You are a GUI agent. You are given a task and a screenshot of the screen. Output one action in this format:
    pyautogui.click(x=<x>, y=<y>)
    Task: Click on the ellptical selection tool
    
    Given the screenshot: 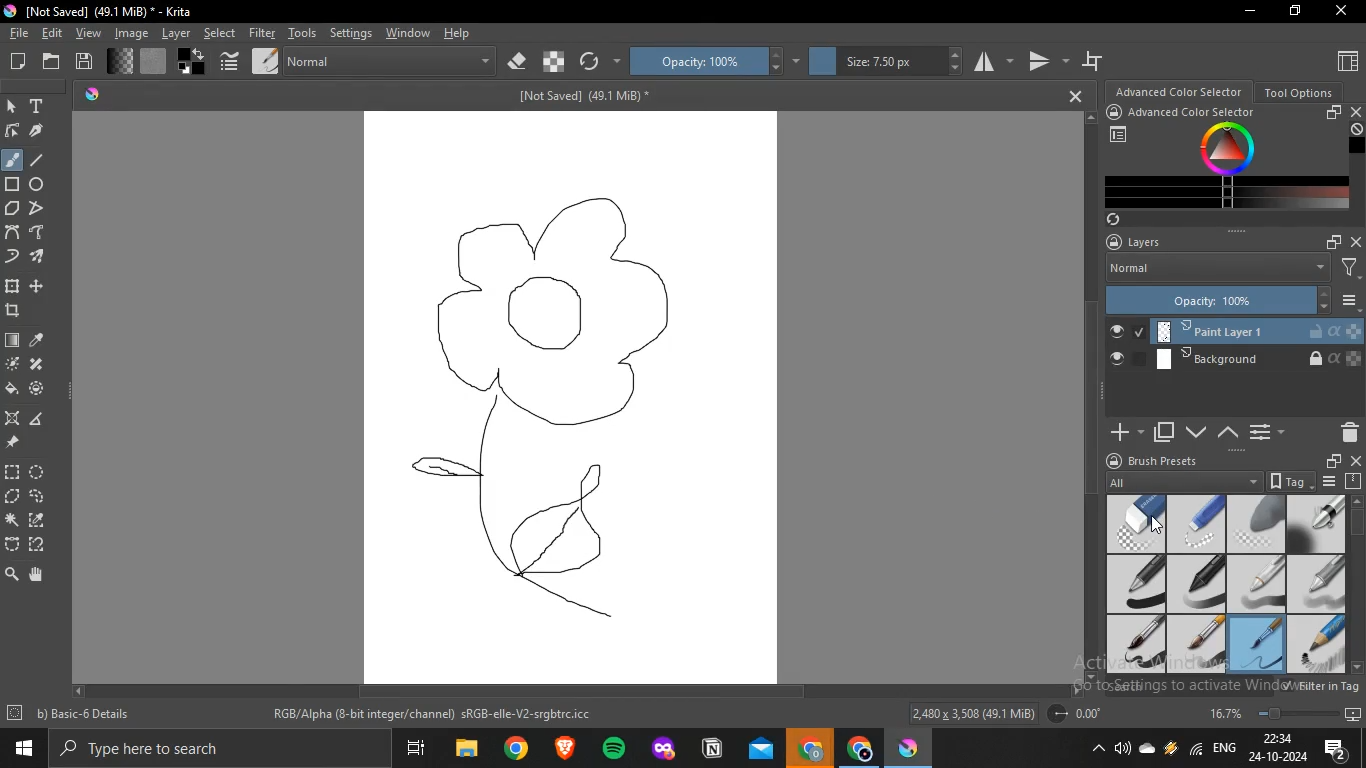 What is the action you would take?
    pyautogui.click(x=41, y=472)
    